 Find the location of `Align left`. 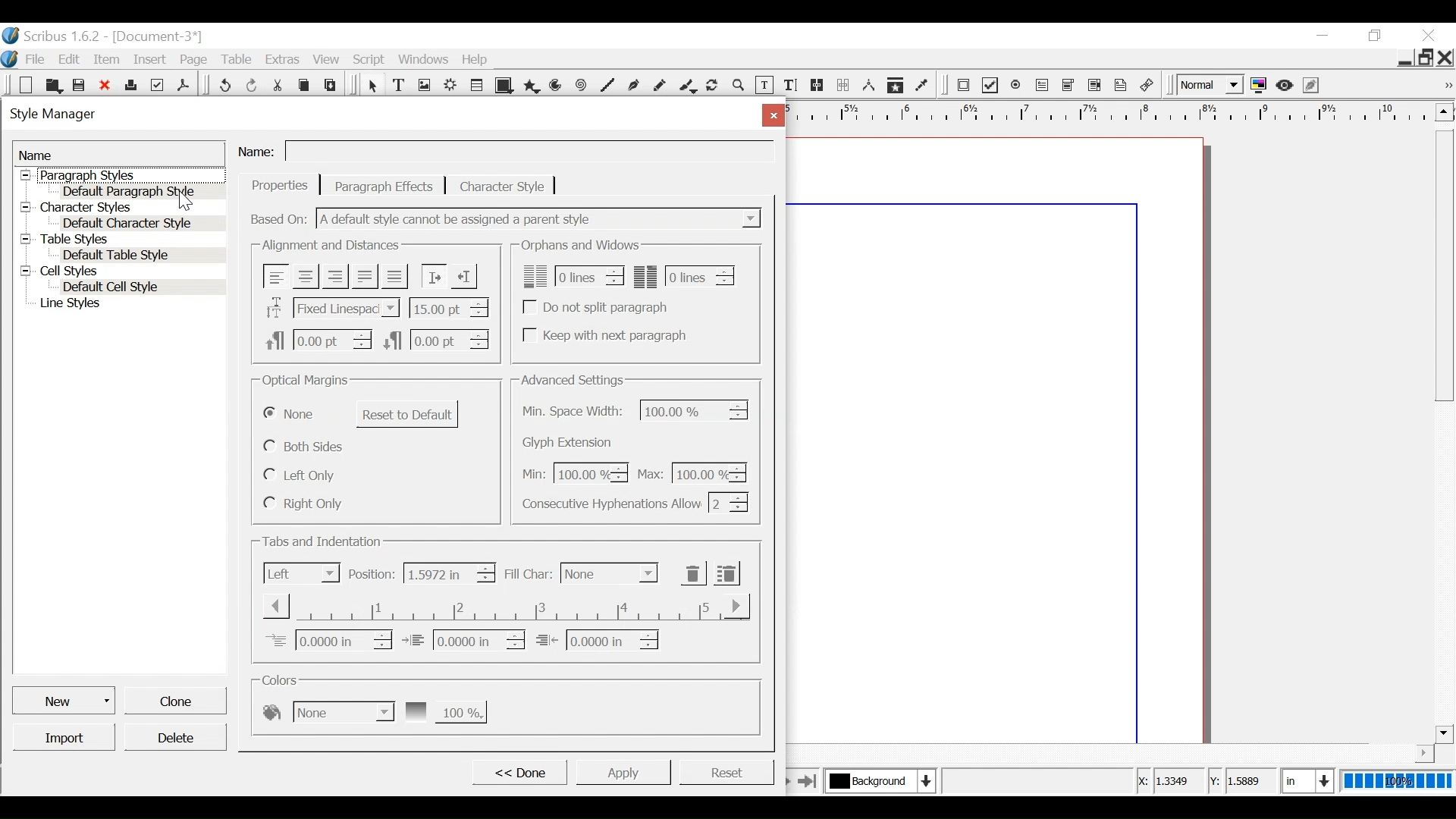

Align left is located at coordinates (277, 276).